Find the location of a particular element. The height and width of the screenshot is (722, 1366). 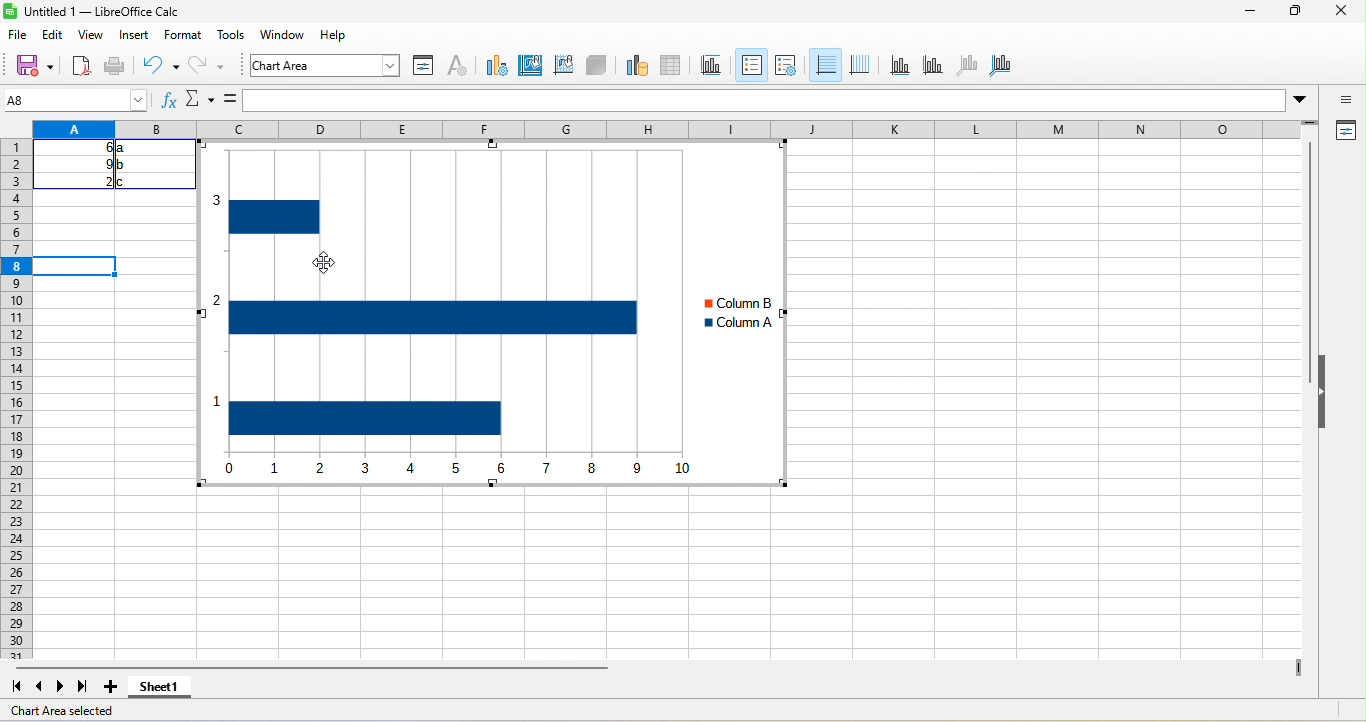

Legend on/off is located at coordinates (824, 64).